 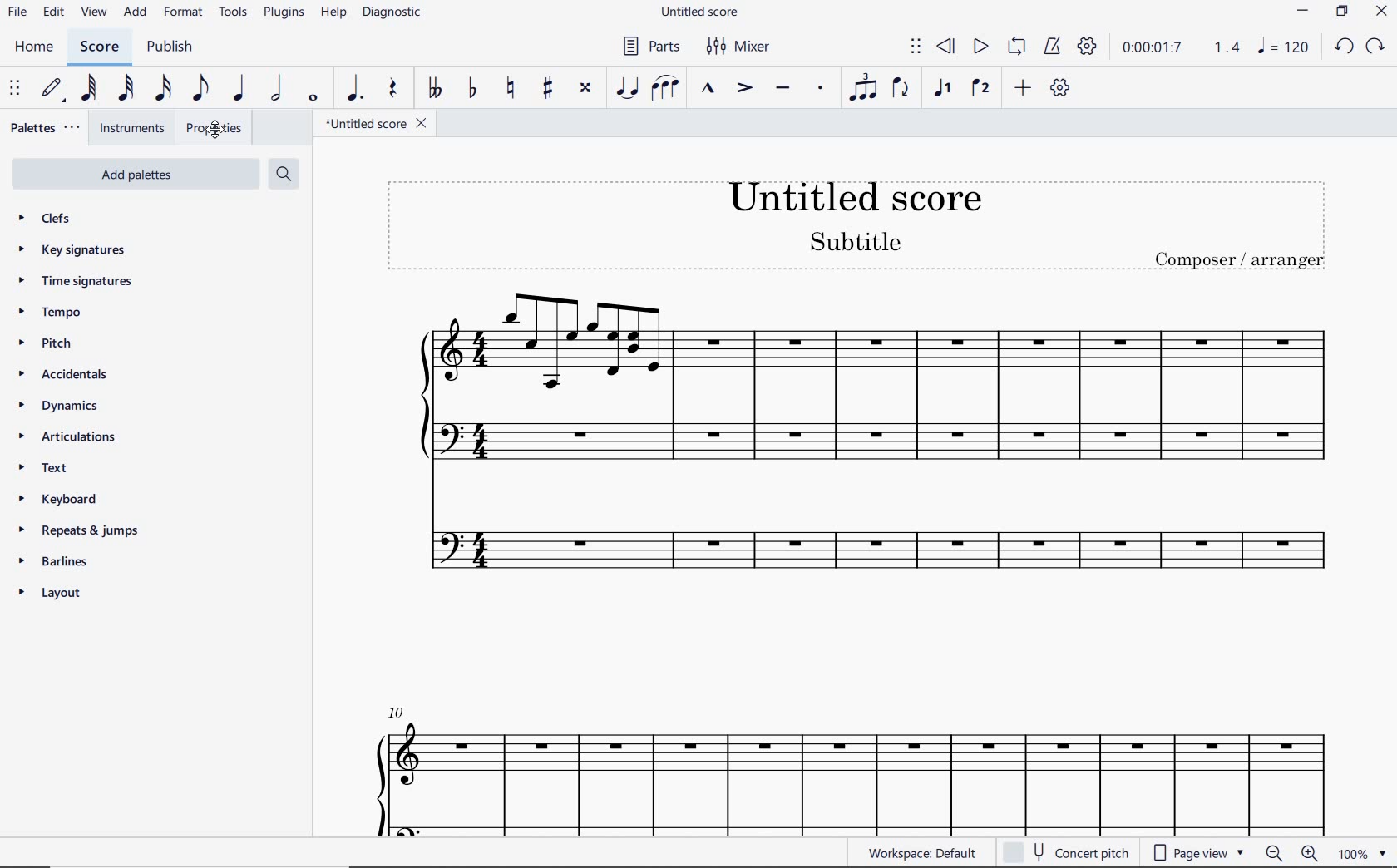 I want to click on TOGGLE FLAT, so click(x=471, y=86).